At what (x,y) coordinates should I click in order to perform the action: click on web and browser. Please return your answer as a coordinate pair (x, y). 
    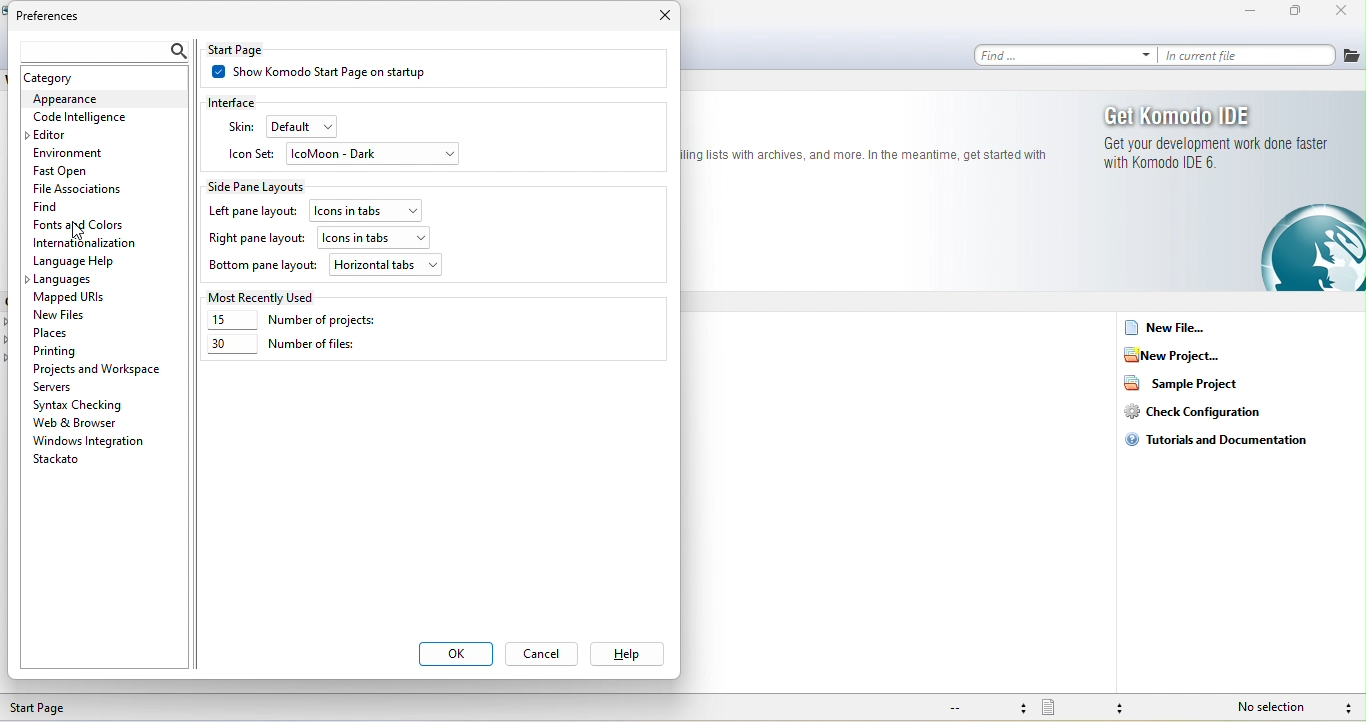
    Looking at the image, I should click on (86, 423).